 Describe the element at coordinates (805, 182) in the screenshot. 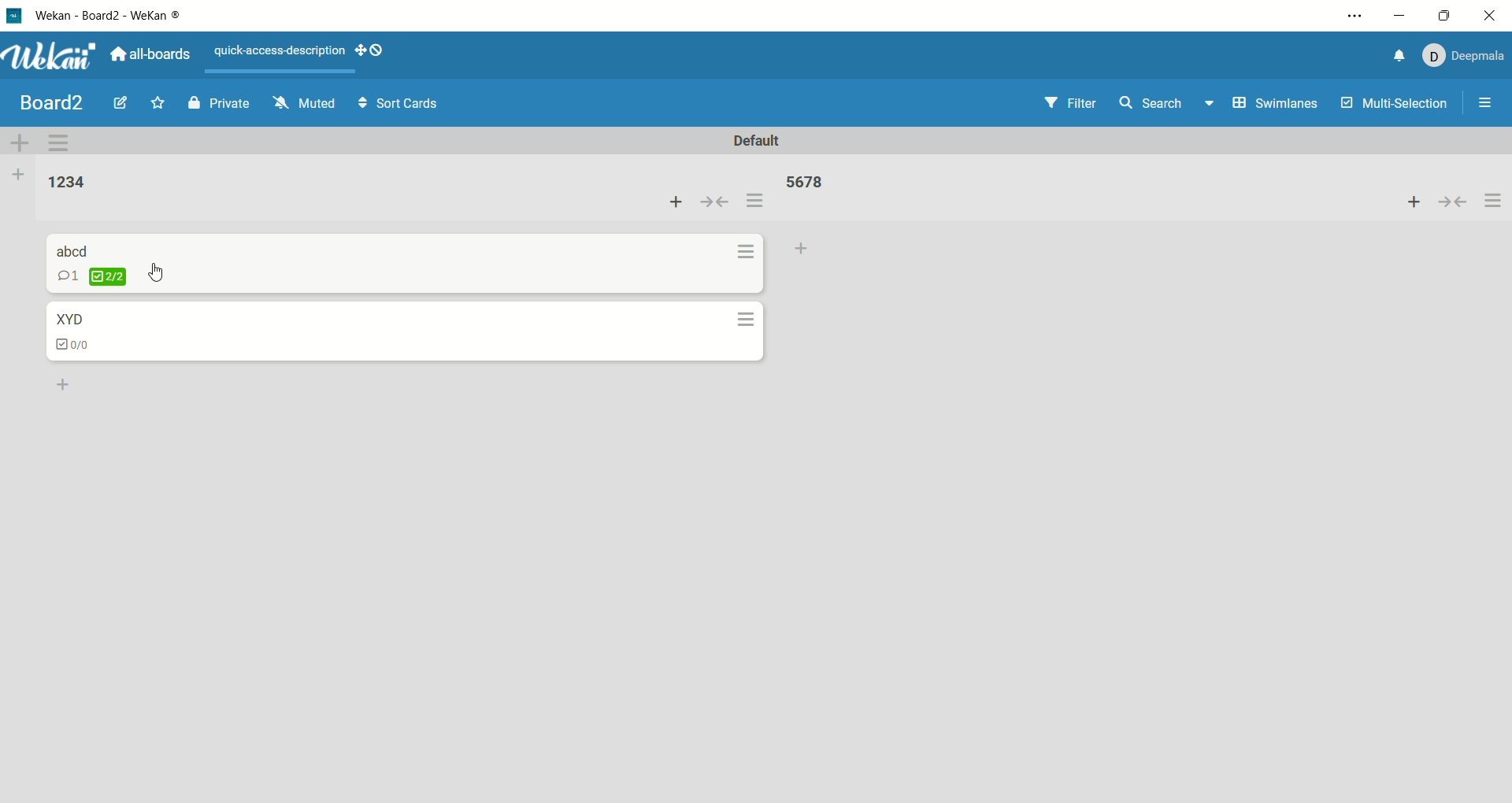

I see `list title` at that location.